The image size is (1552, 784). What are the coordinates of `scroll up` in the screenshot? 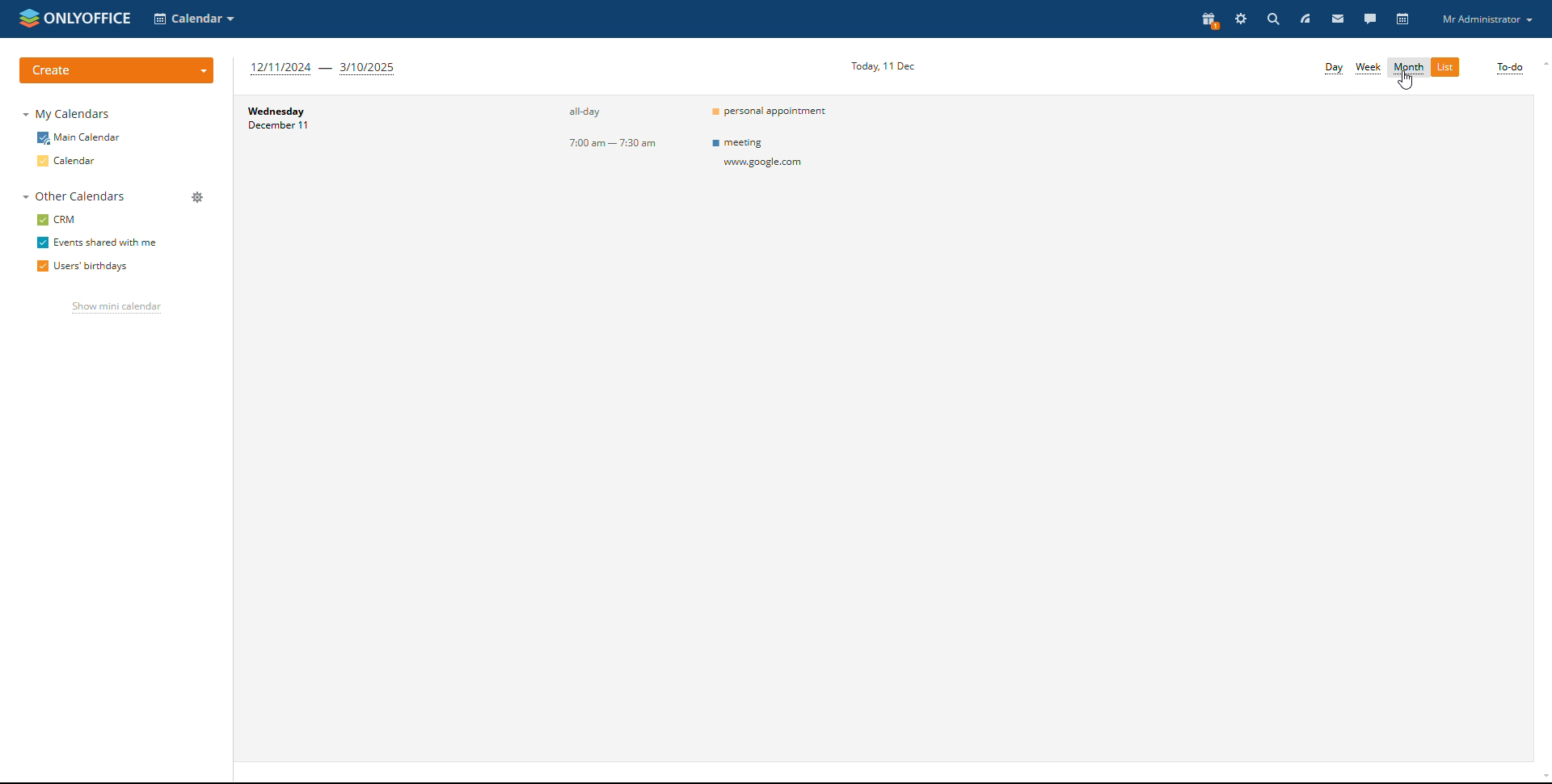 It's located at (1542, 65).